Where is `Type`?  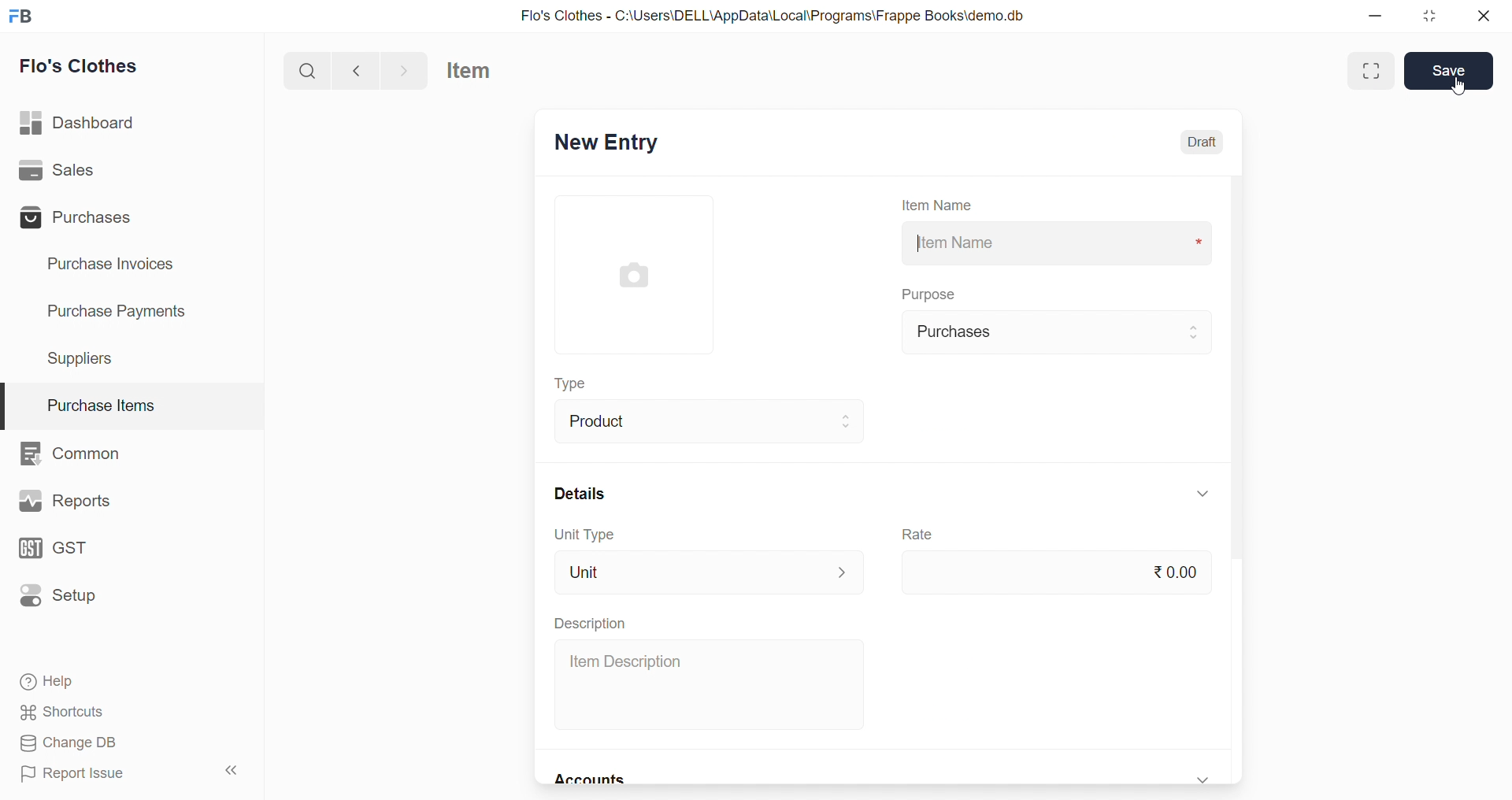 Type is located at coordinates (577, 385).